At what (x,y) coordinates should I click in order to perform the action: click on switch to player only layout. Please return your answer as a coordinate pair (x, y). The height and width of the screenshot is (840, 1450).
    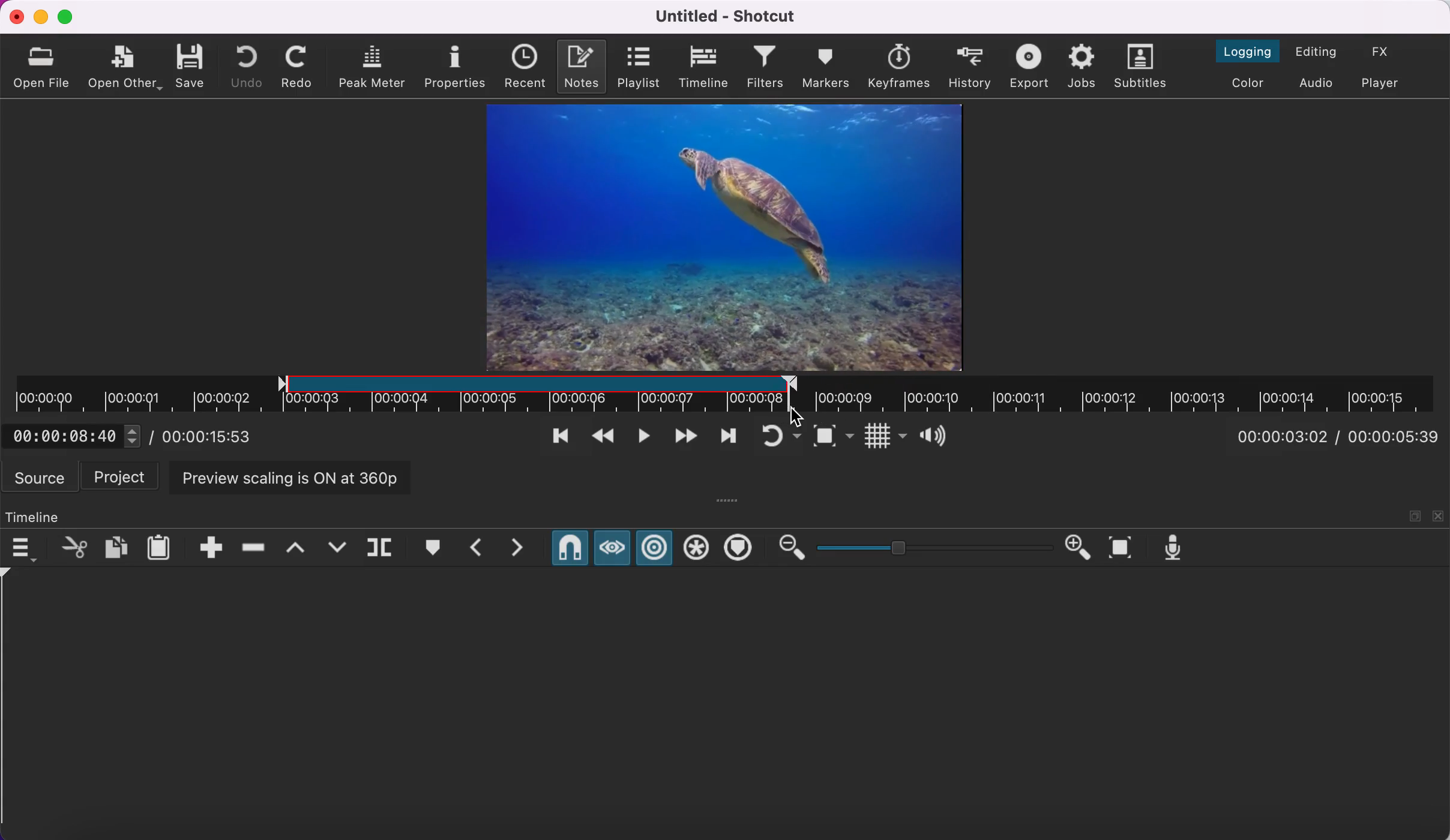
    Looking at the image, I should click on (1386, 85).